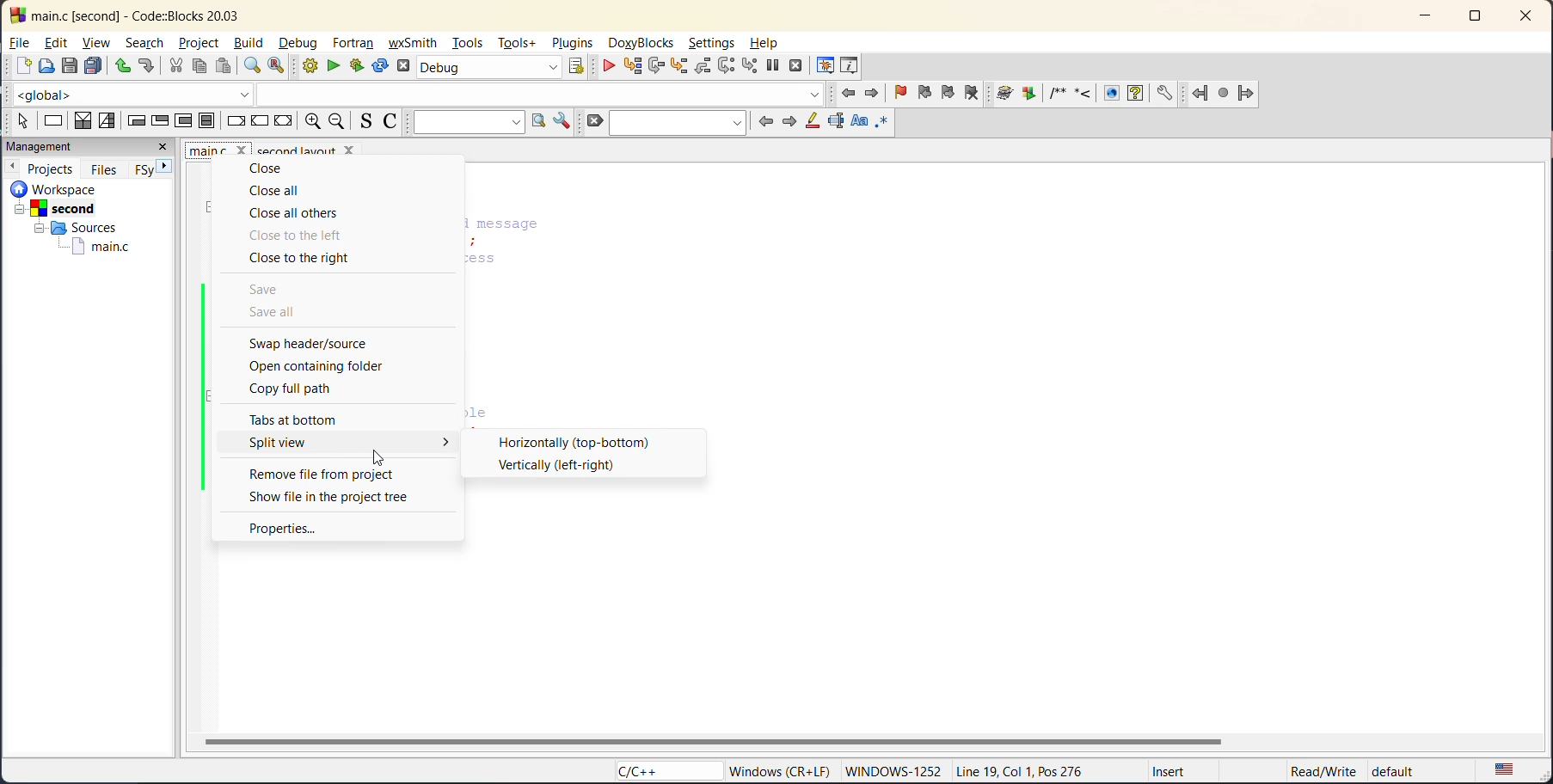 The image size is (1553, 784). Describe the element at coordinates (1027, 772) in the screenshot. I see `Line 19, Col 1, Pos 276` at that location.